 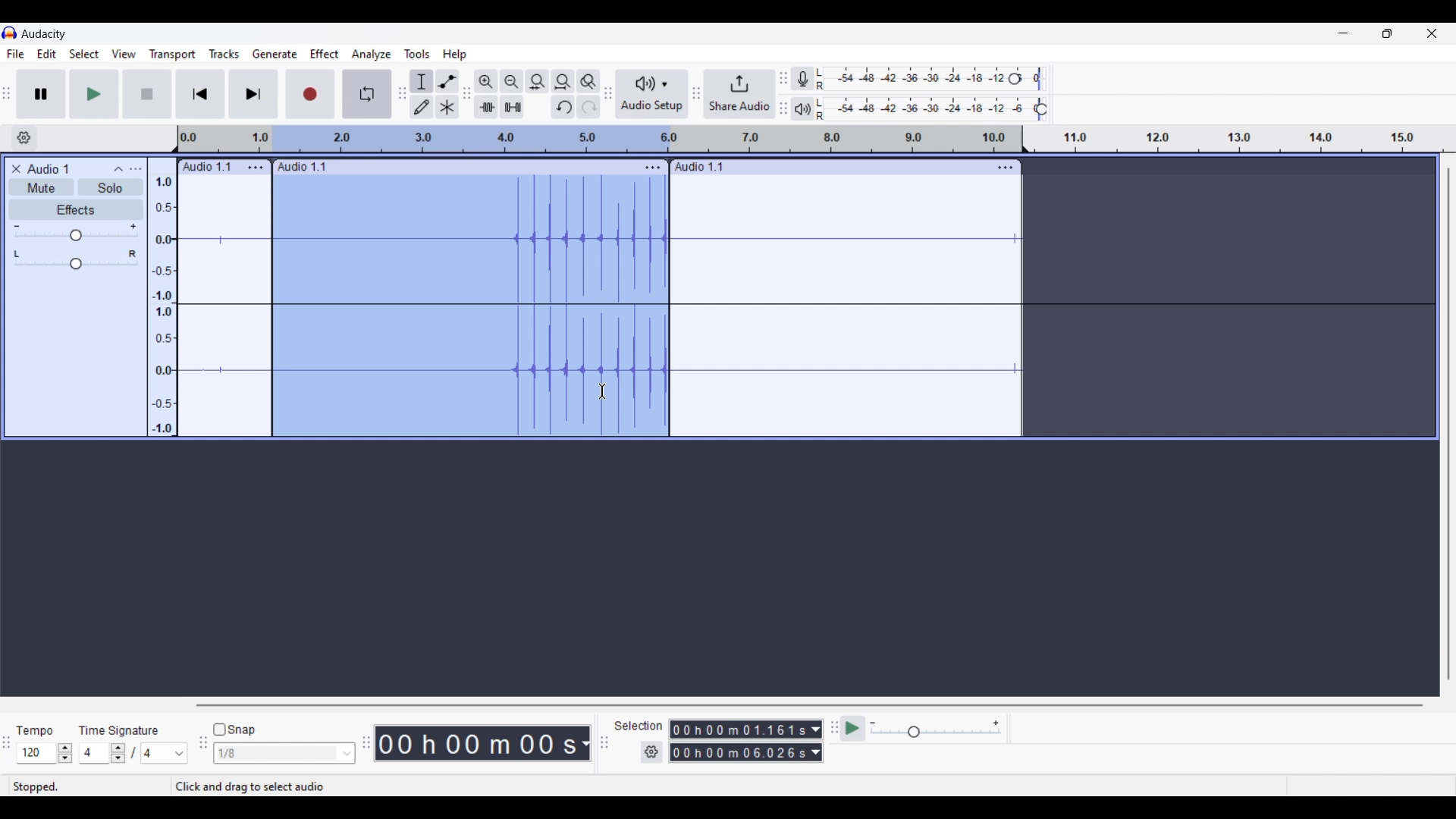 I want to click on Silence audio selection, so click(x=512, y=107).